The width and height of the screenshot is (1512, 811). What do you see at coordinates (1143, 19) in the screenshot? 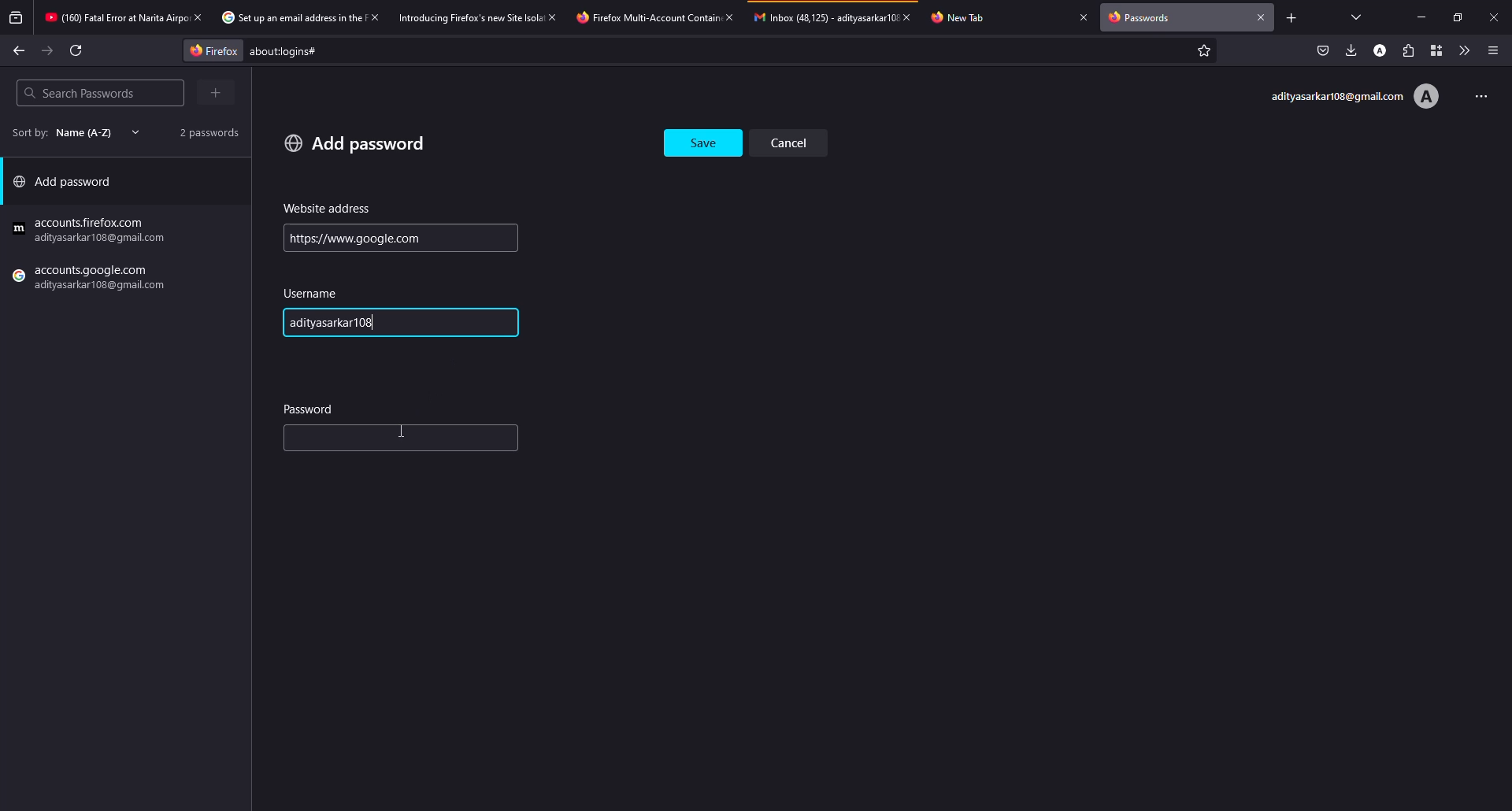
I see `passwords` at bounding box center [1143, 19].